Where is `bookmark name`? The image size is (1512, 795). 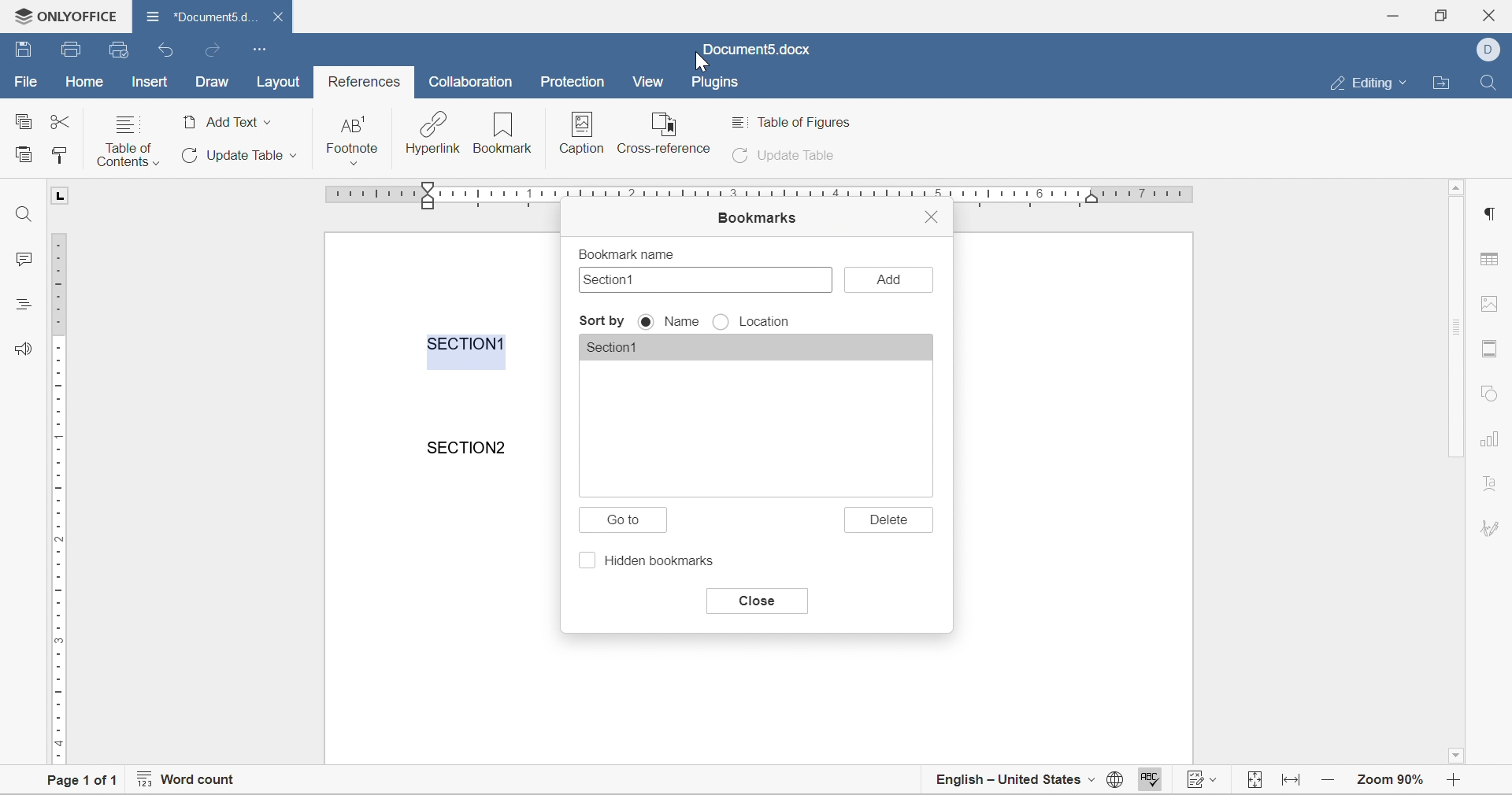
bookmark name is located at coordinates (624, 253).